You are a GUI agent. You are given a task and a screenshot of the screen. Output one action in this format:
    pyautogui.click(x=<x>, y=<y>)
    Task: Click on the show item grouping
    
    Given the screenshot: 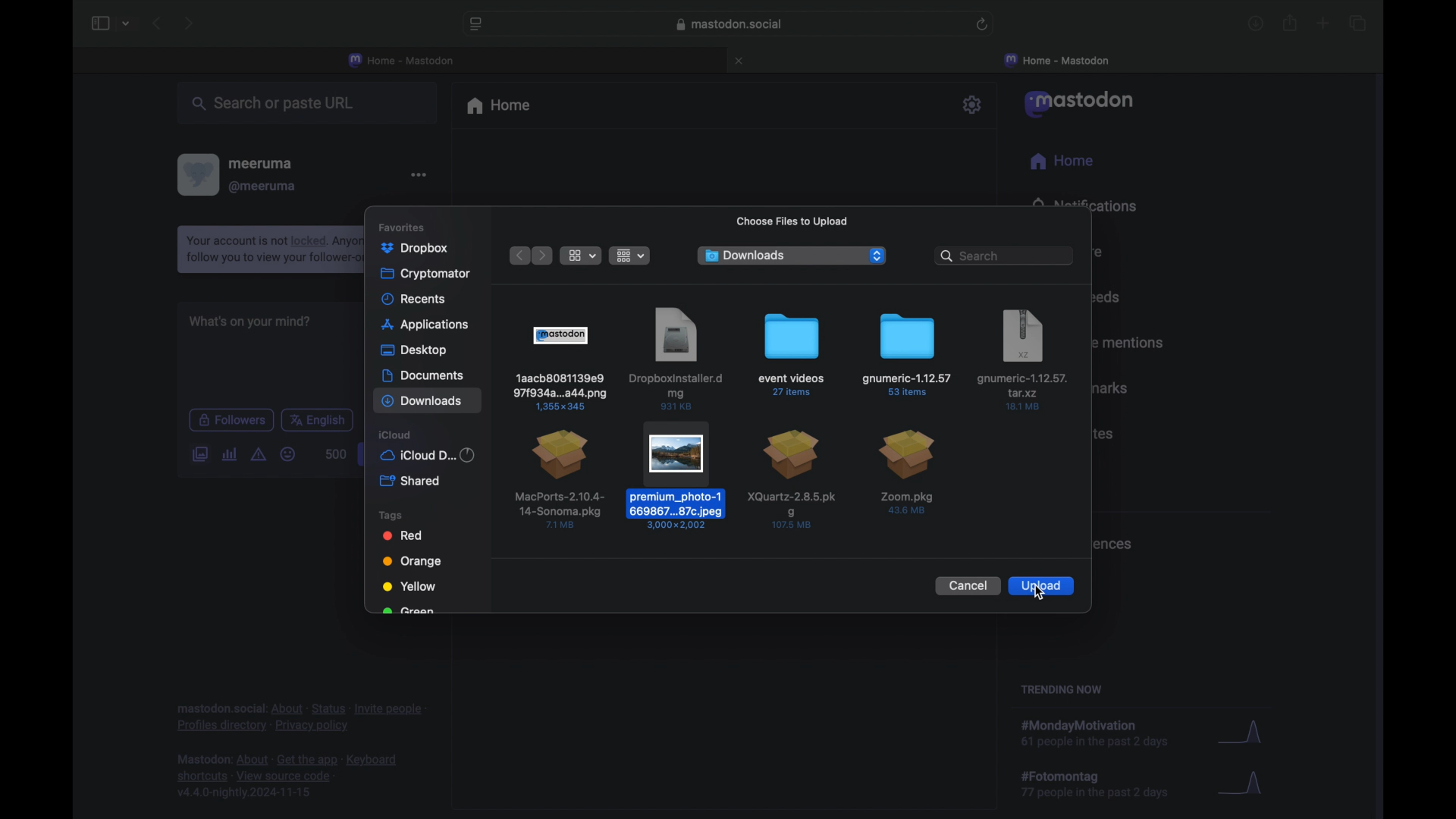 What is the action you would take?
    pyautogui.click(x=632, y=256)
    